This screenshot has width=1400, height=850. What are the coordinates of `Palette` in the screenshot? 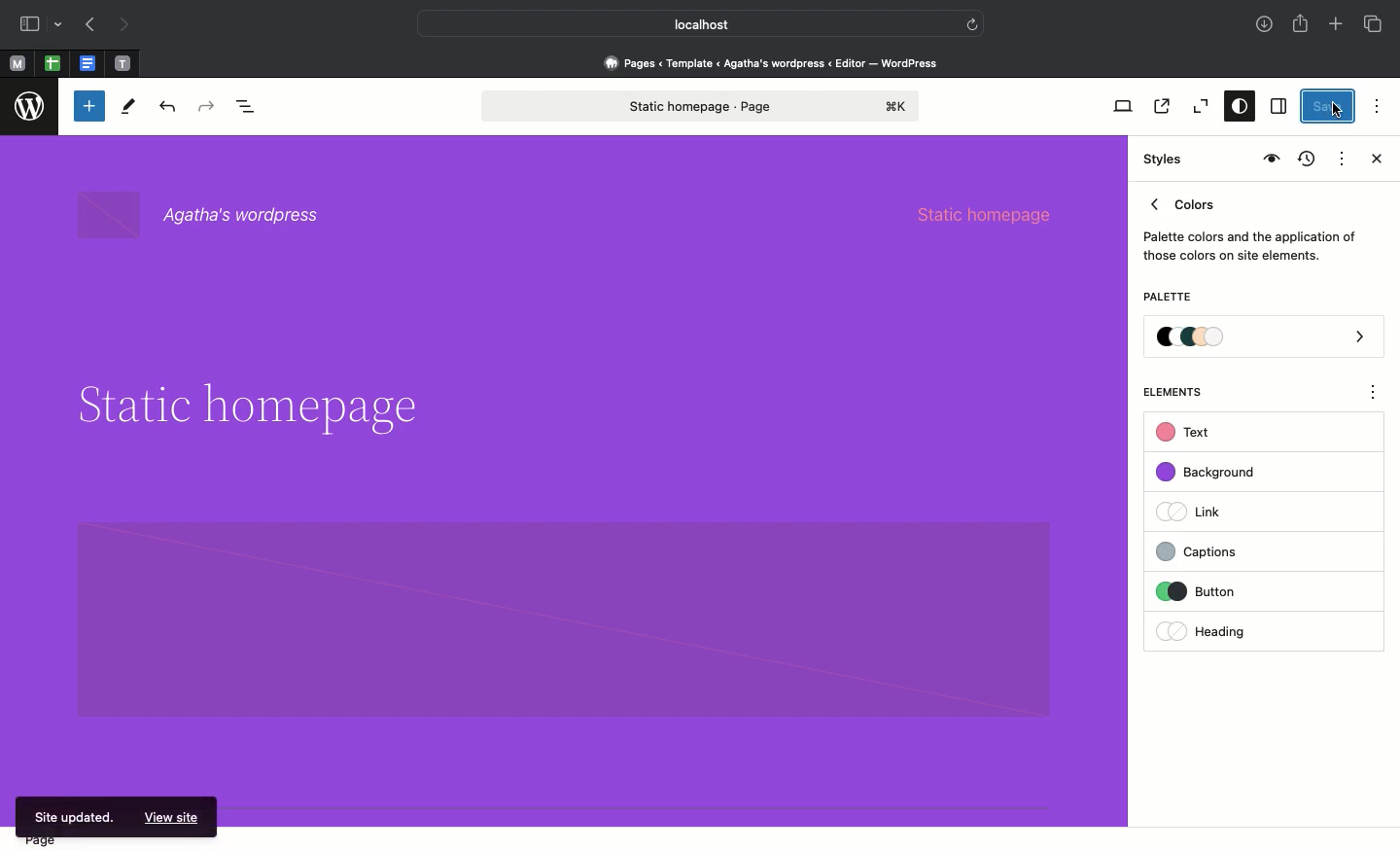 It's located at (1265, 338).